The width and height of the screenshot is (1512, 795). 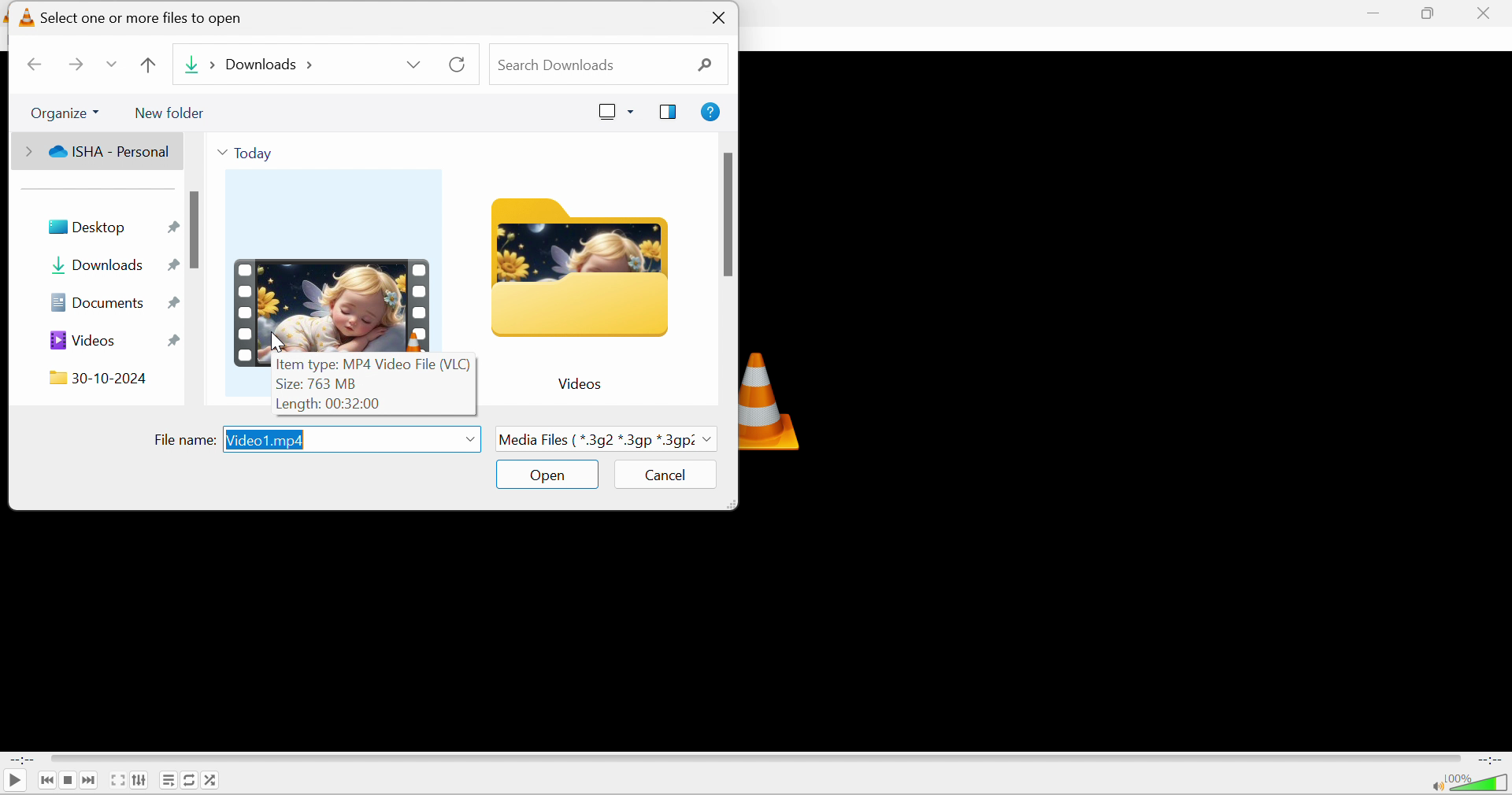 I want to click on File name:, so click(x=185, y=442).